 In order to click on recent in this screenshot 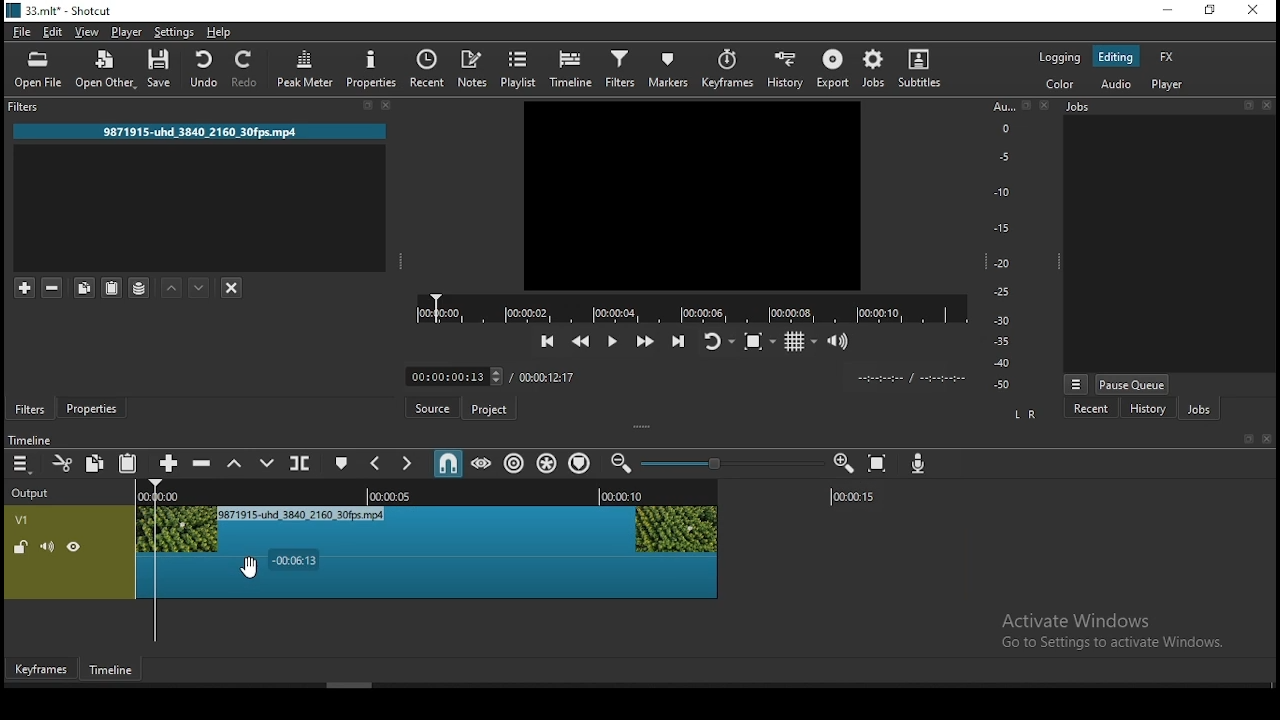, I will do `click(1101, 408)`.